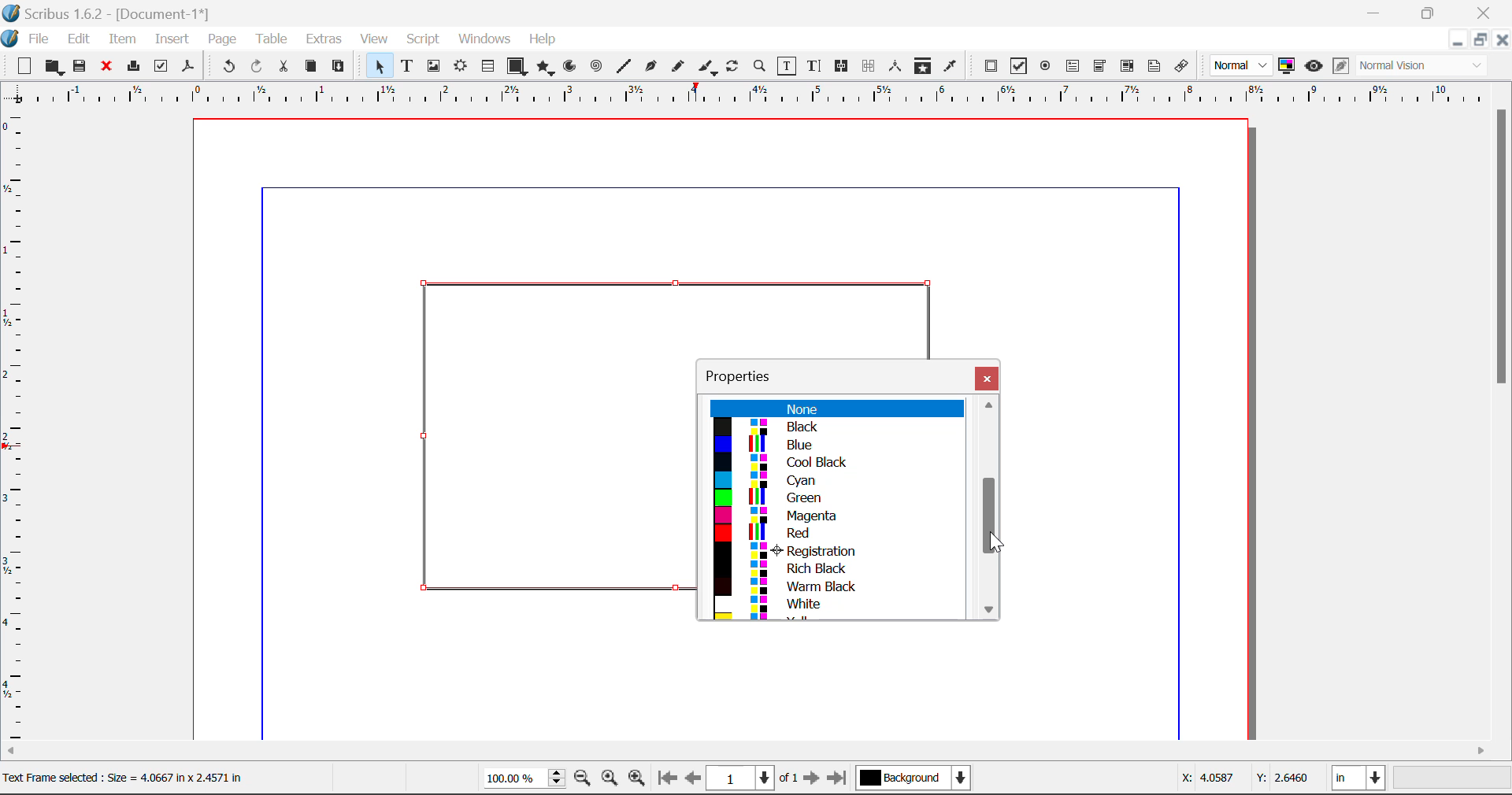 The width and height of the screenshot is (1512, 795). Describe the element at coordinates (991, 65) in the screenshot. I see `Pdf Push Button` at that location.